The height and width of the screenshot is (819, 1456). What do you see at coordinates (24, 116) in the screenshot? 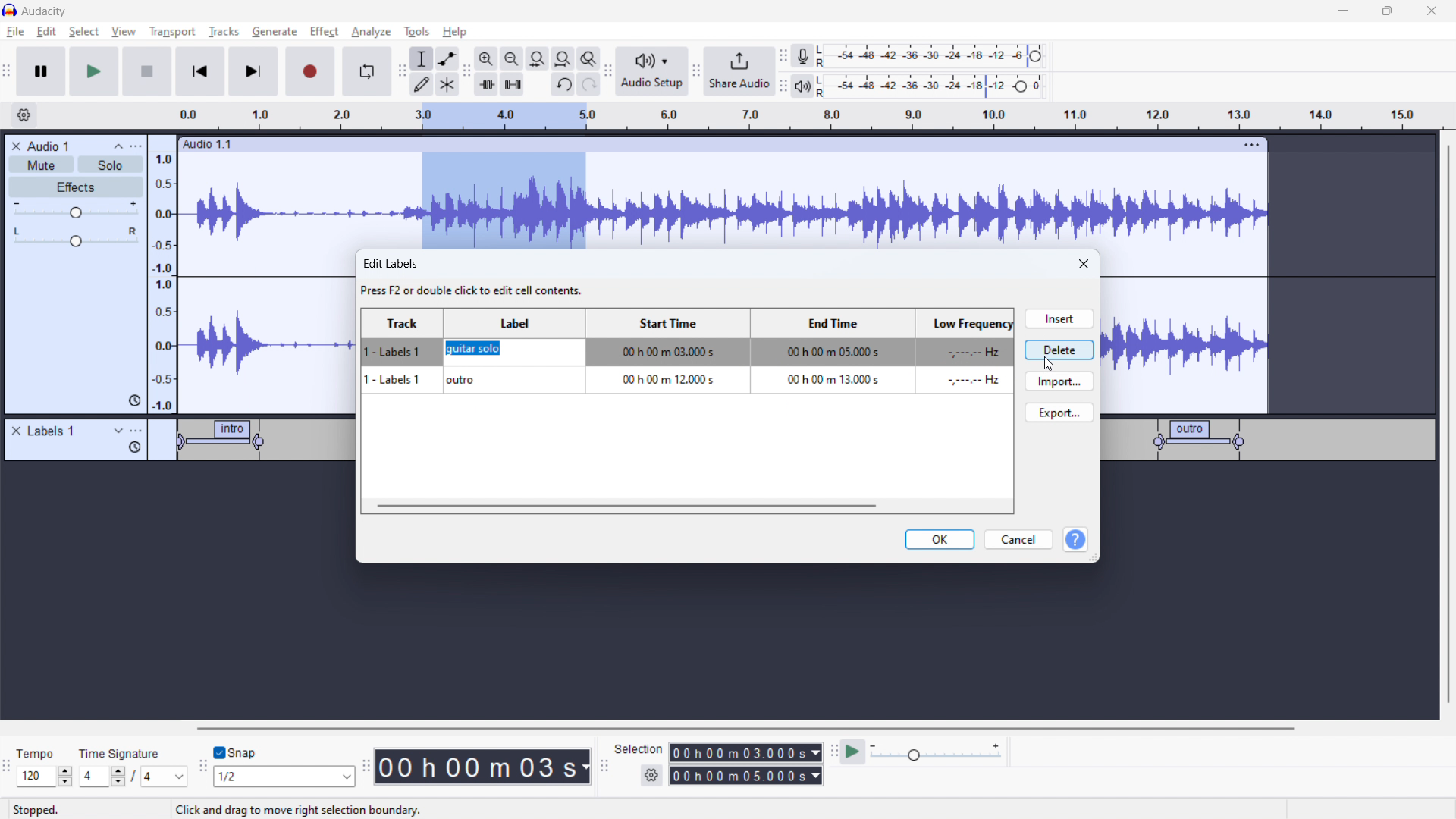
I see `timeline settings` at bounding box center [24, 116].